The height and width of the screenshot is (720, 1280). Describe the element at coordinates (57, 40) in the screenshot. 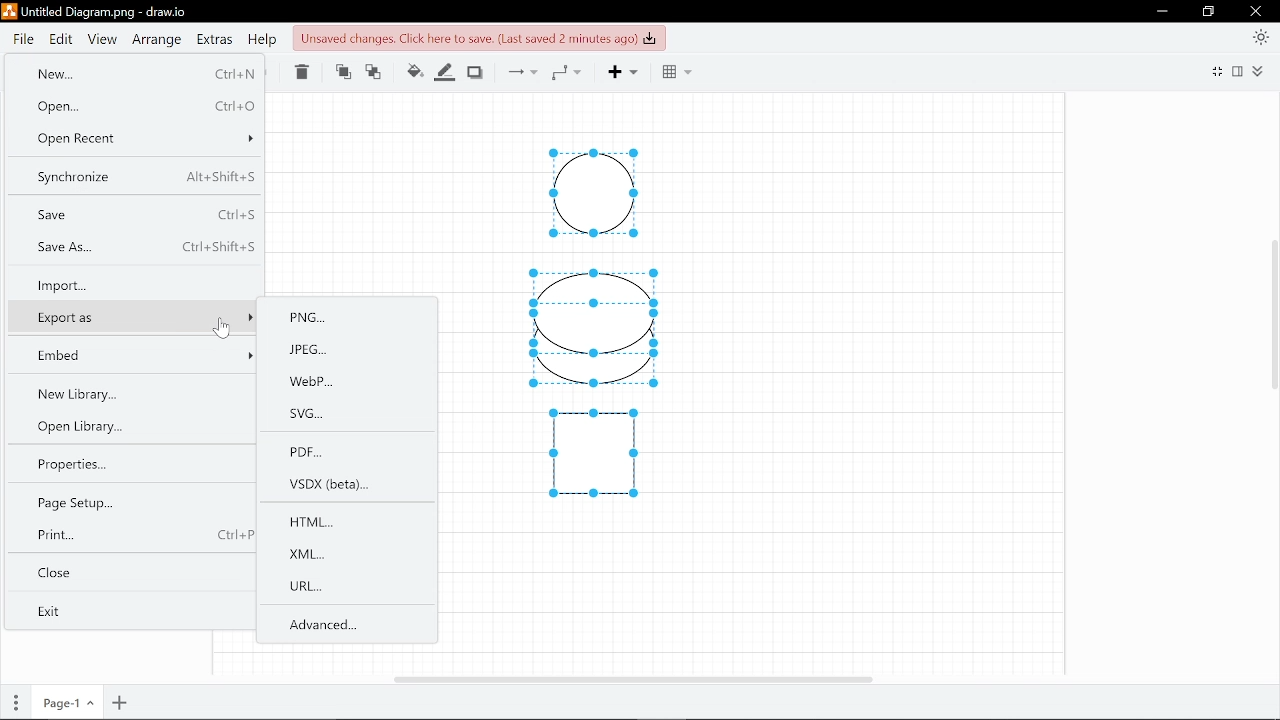

I see `Edit` at that location.